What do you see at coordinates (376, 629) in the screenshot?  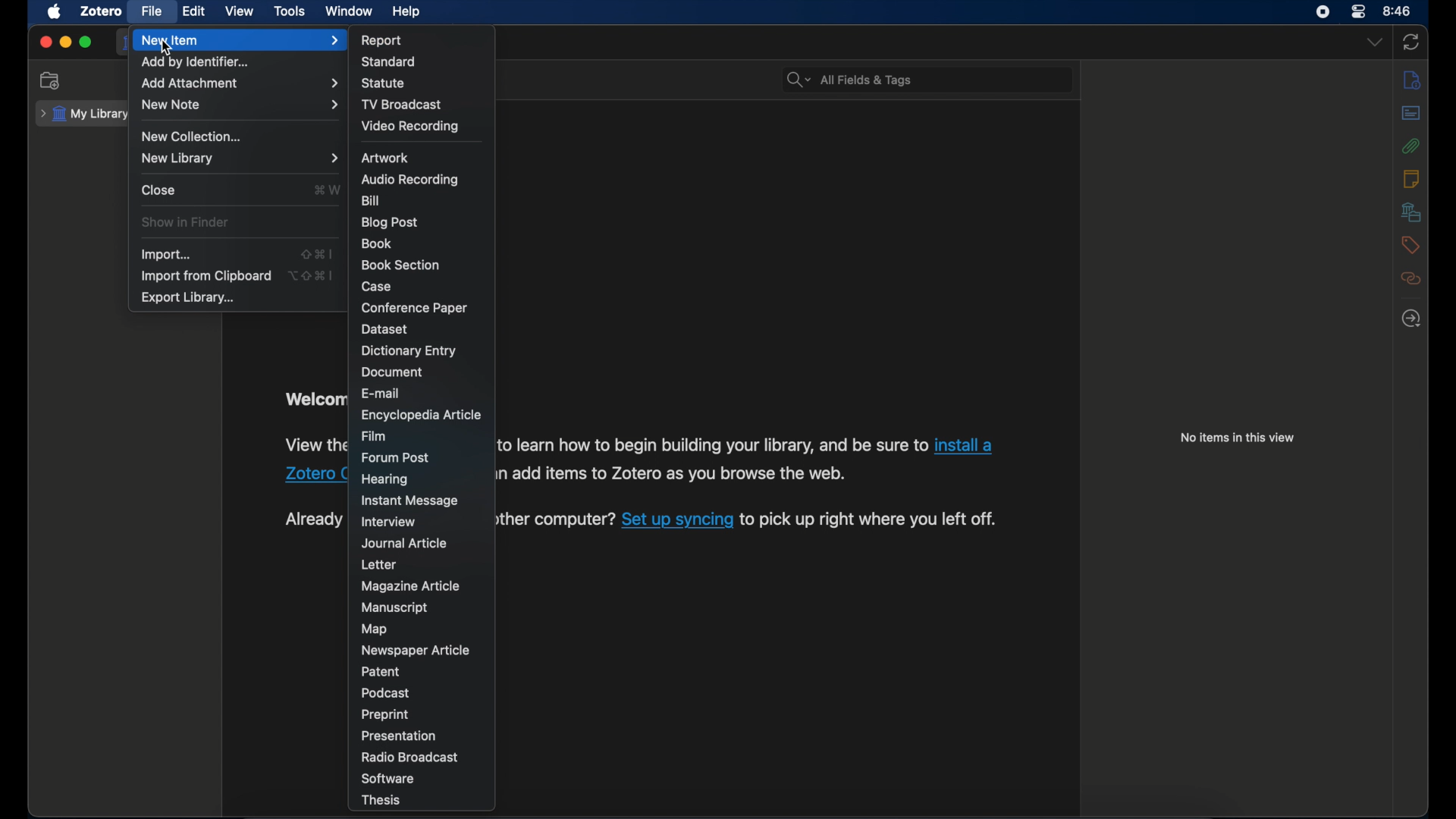 I see `map` at bounding box center [376, 629].